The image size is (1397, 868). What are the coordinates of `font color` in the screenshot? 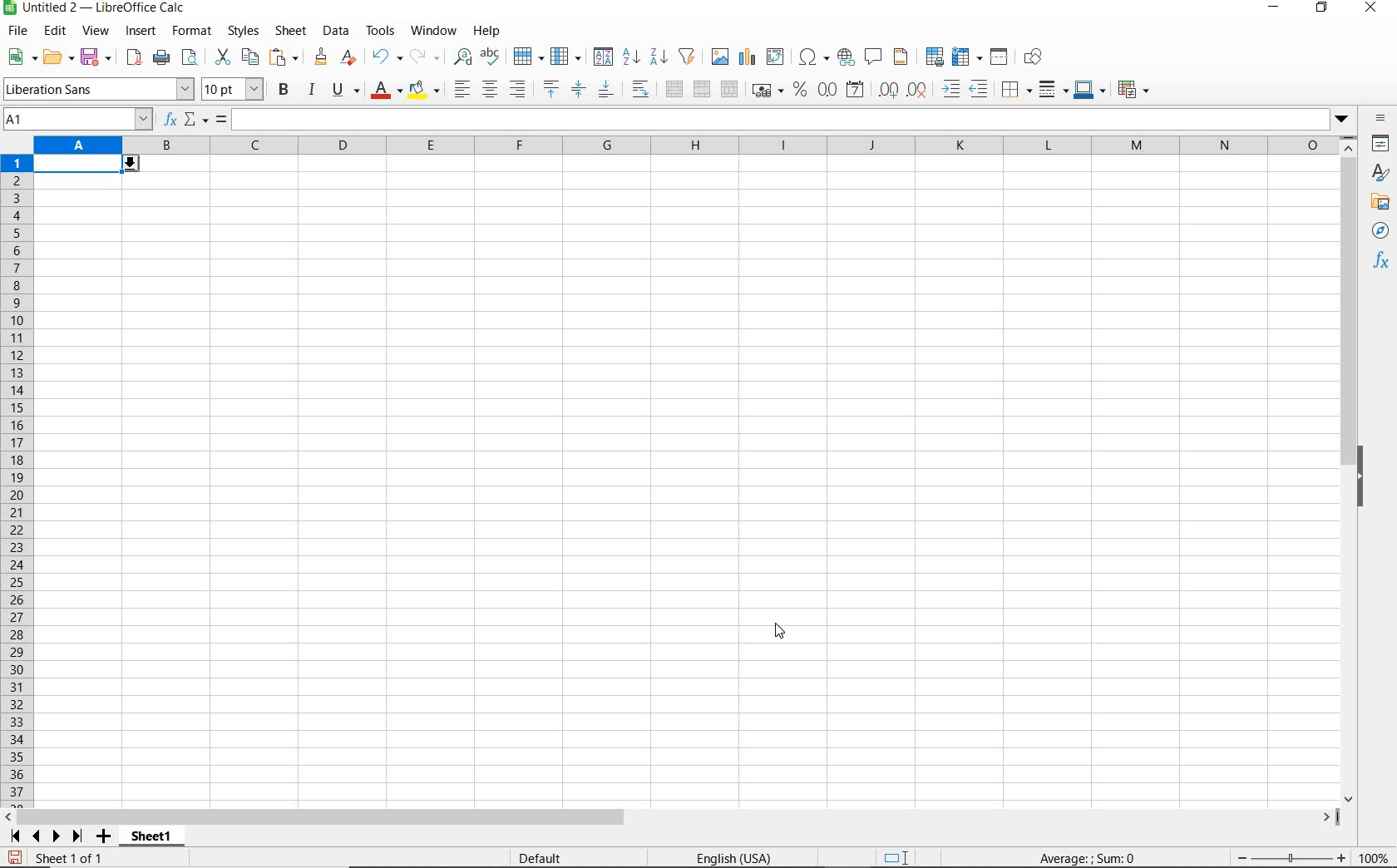 It's located at (388, 90).